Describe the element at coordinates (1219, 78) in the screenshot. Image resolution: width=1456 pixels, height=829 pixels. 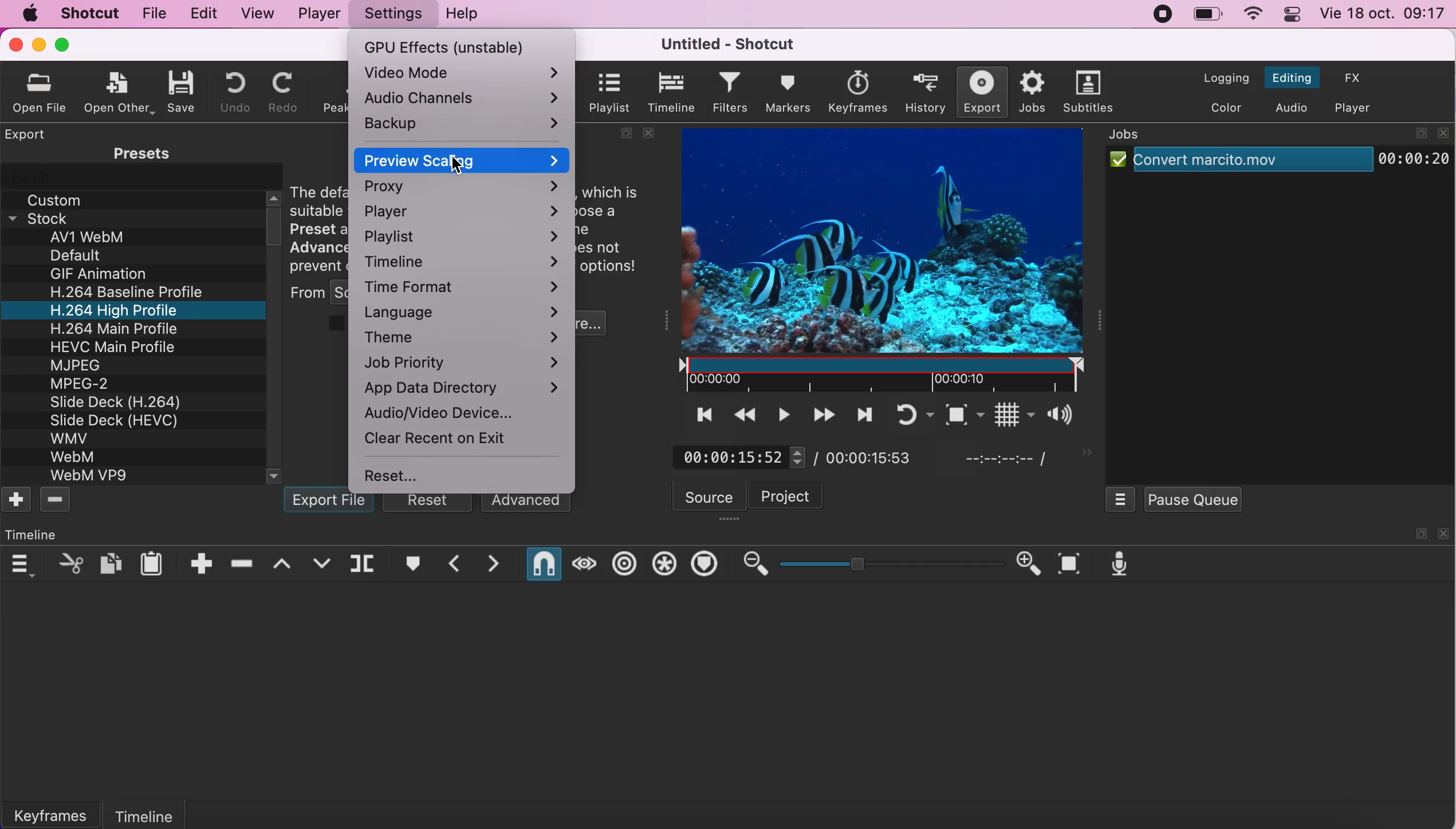
I see `switch to the logging layout` at that location.